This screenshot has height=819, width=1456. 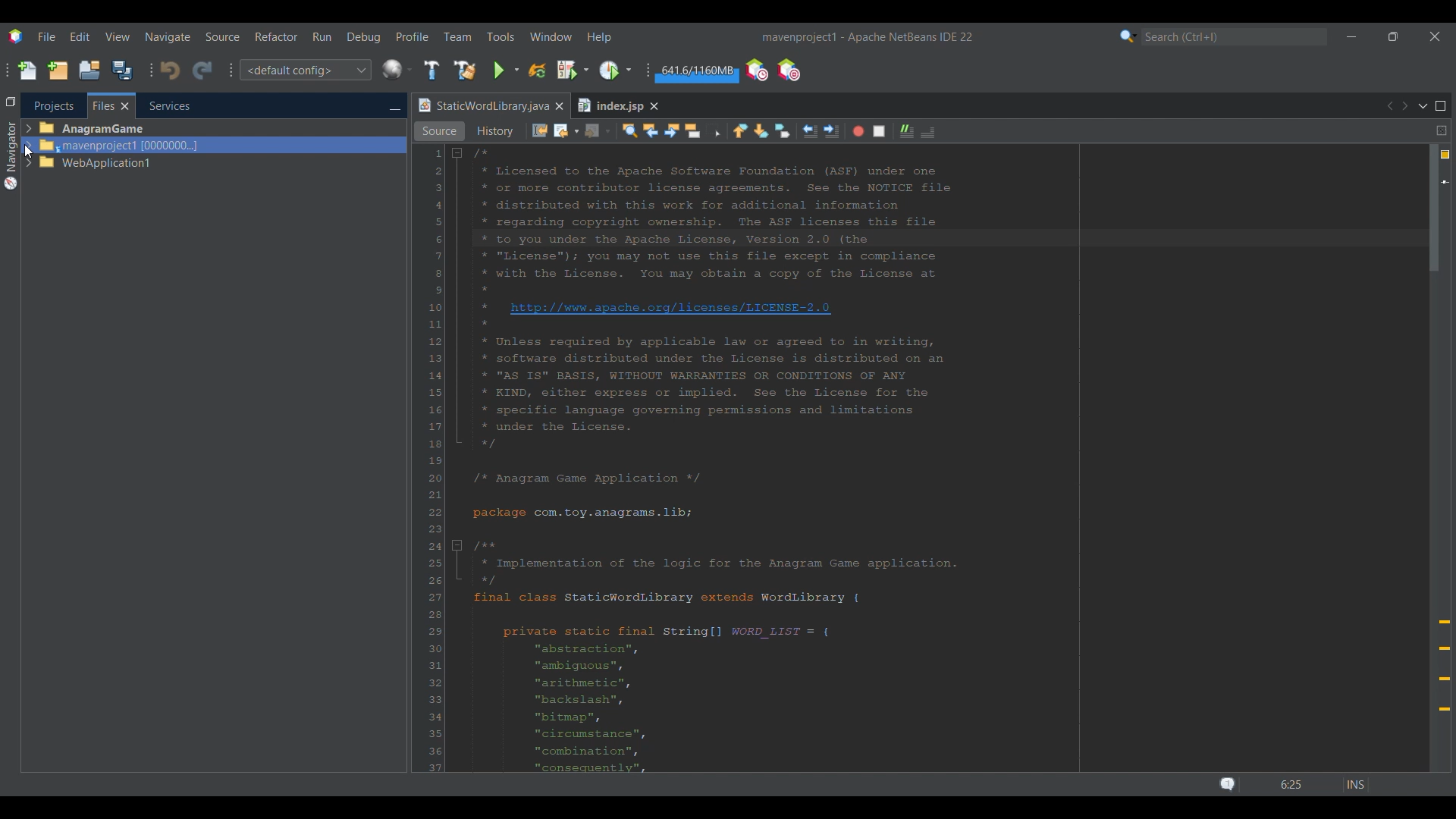 I want to click on New project, so click(x=58, y=70).